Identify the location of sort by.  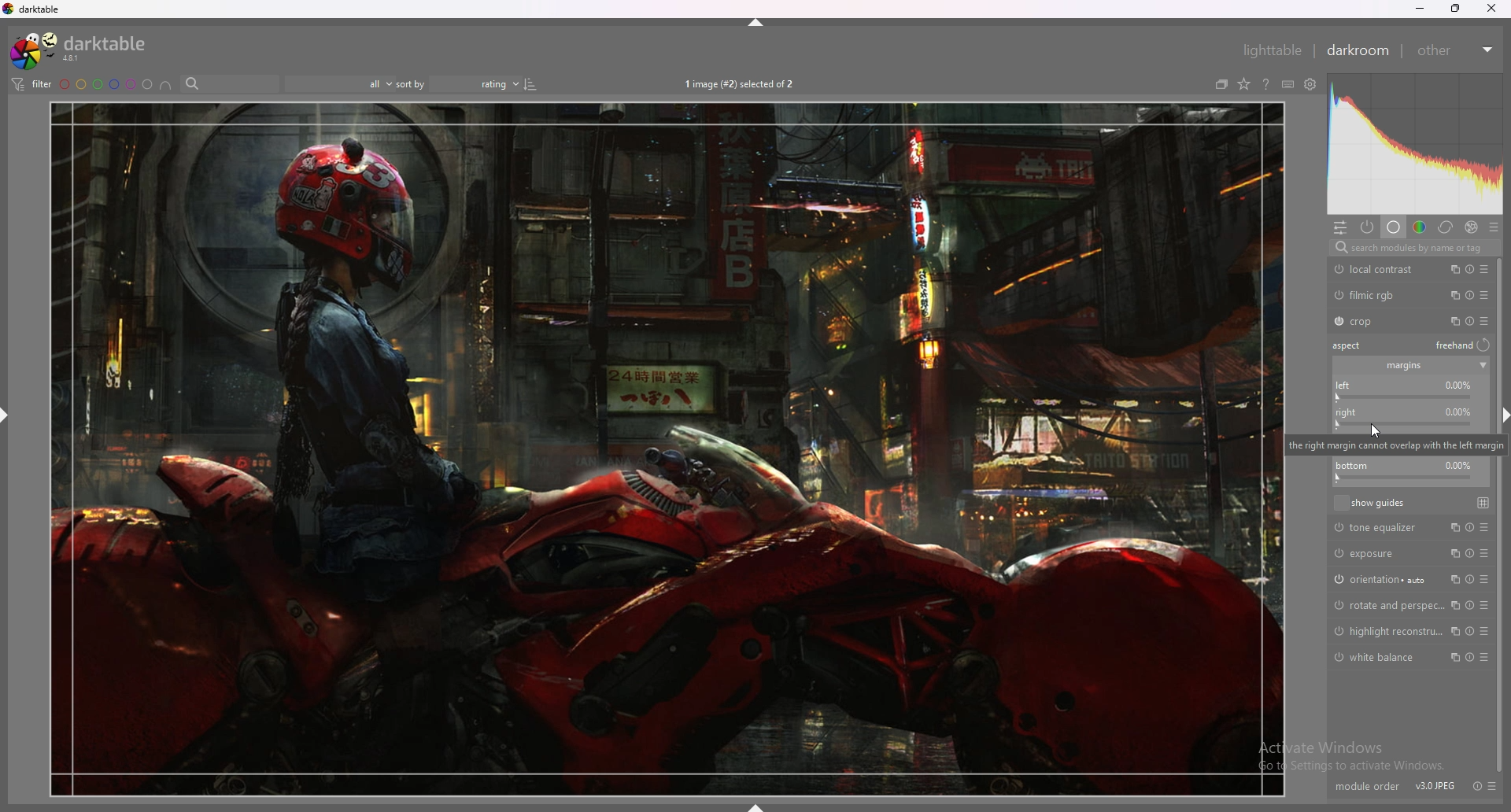
(412, 83).